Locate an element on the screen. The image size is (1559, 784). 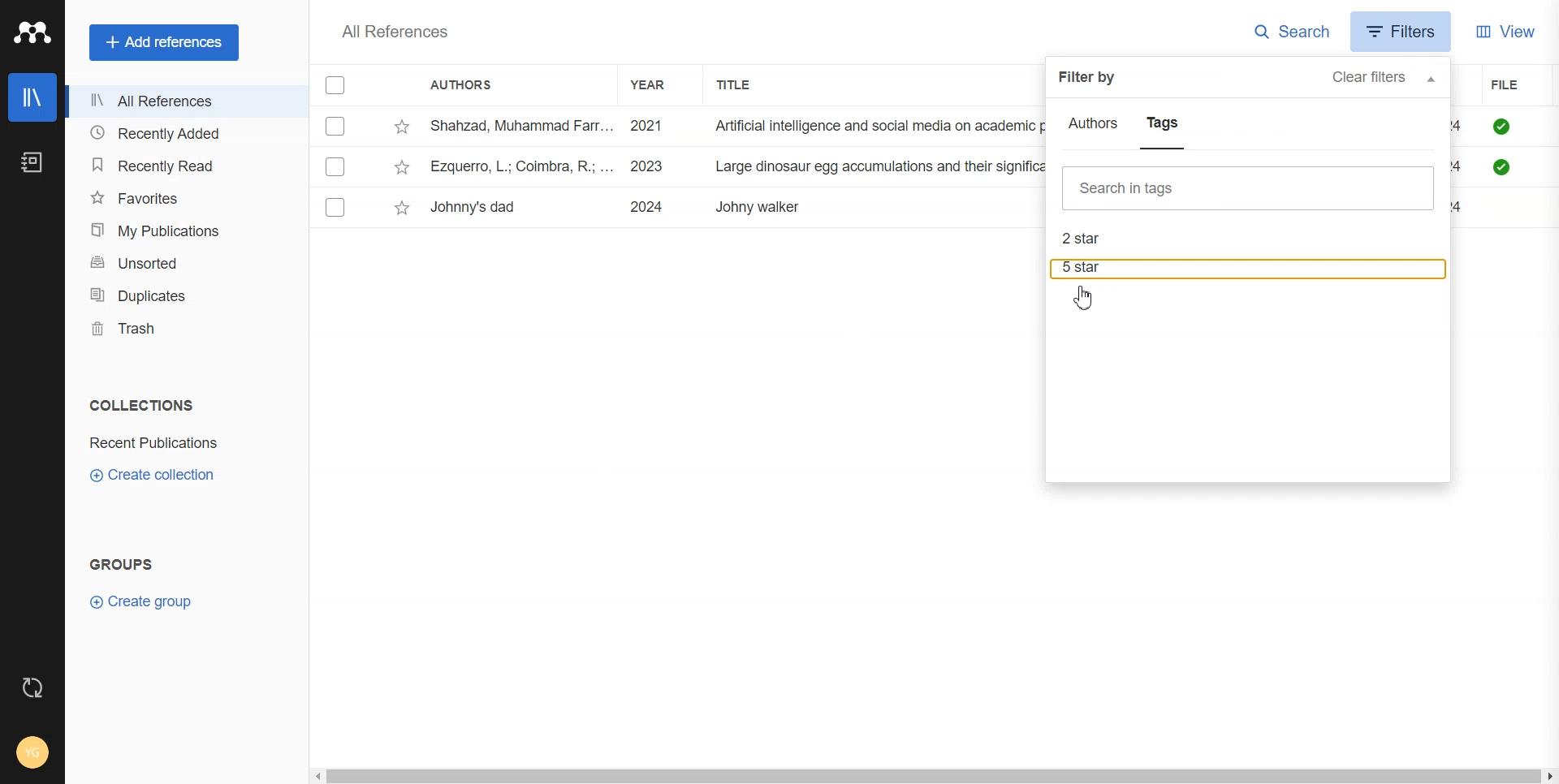
Tags is located at coordinates (1163, 127).